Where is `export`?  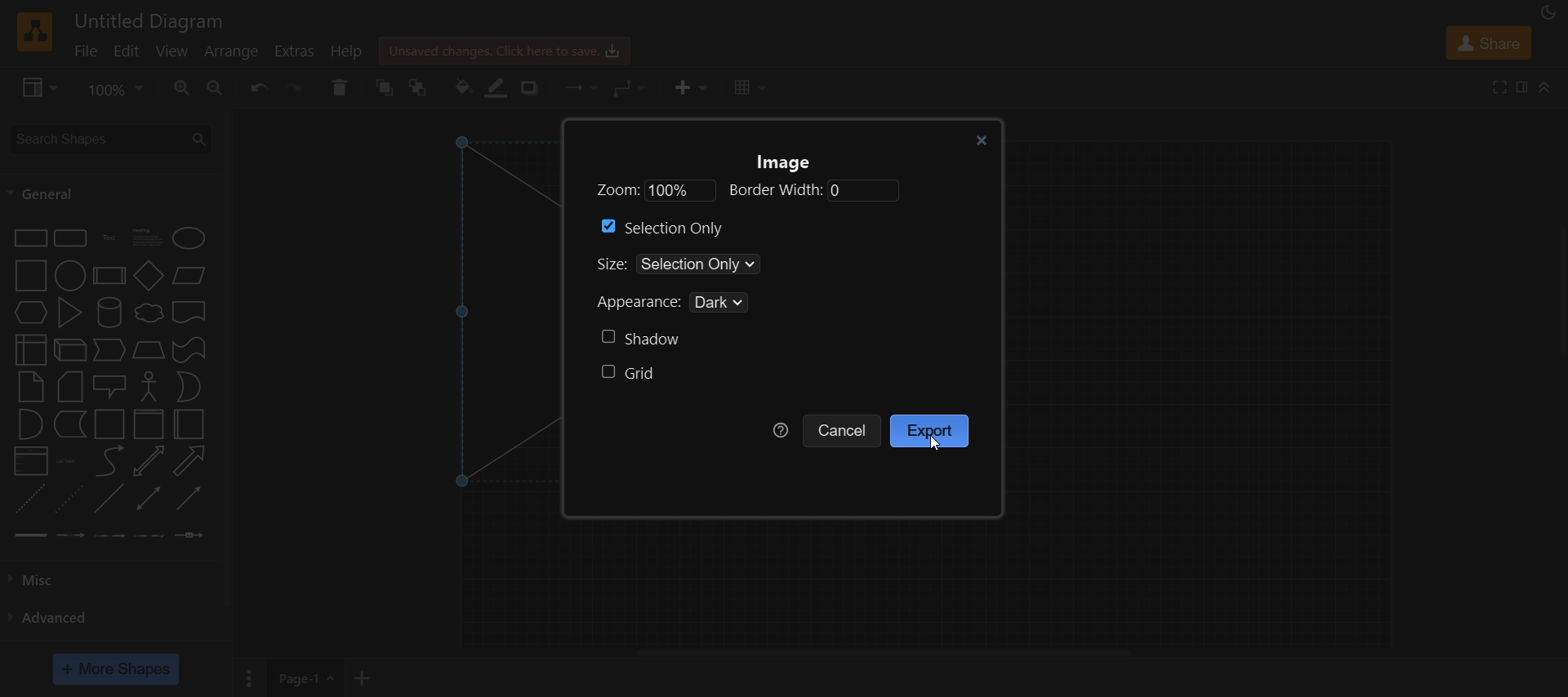 export is located at coordinates (932, 431).